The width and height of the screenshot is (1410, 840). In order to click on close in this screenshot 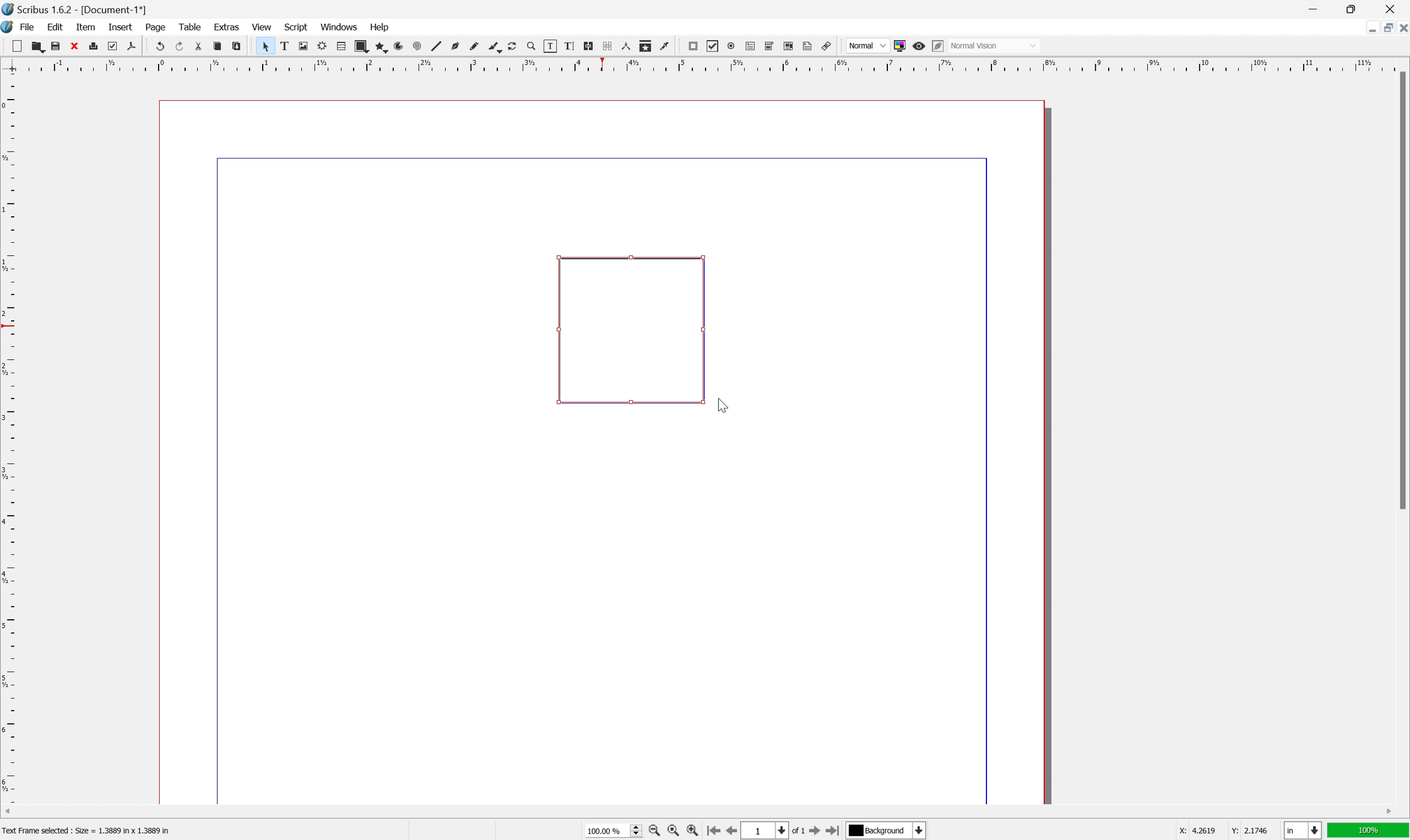, I will do `click(1391, 9)`.